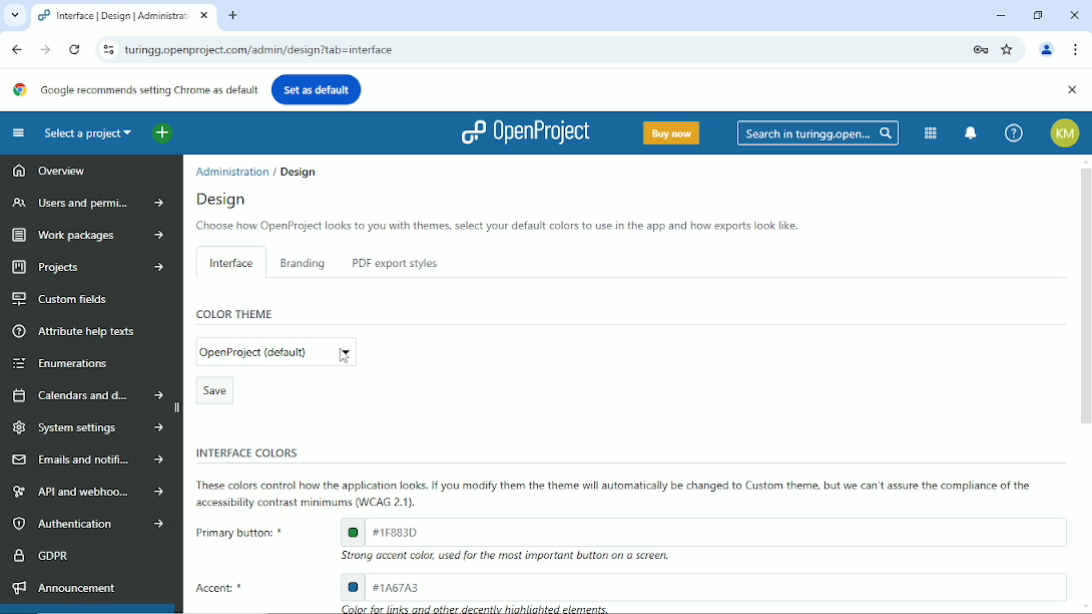  Describe the element at coordinates (515, 557) in the screenshot. I see `EE Strong accent color, used for the mast important button on a screen.` at that location.